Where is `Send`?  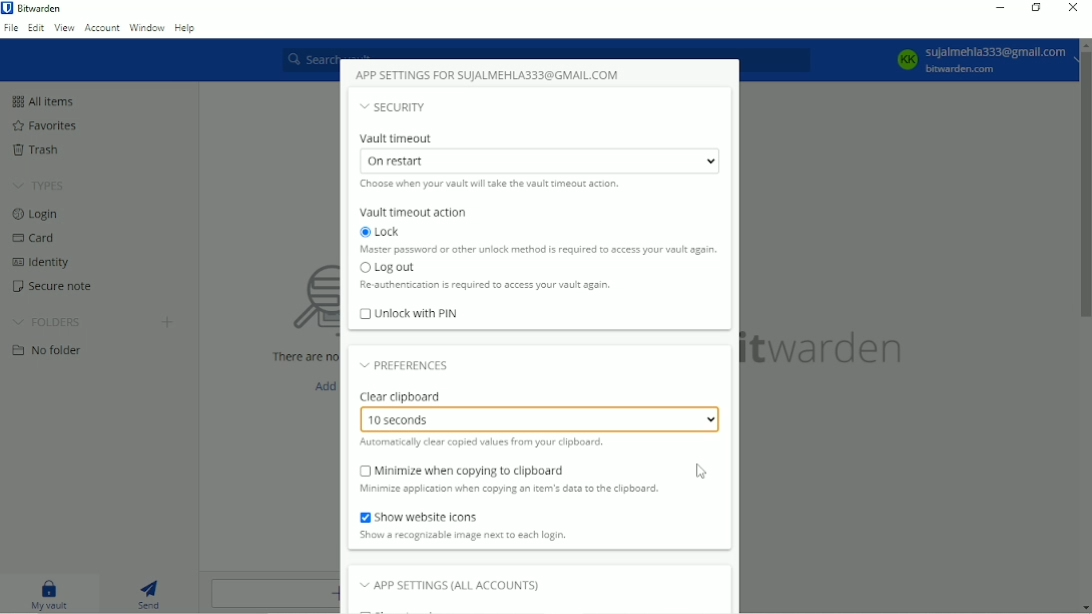
Send is located at coordinates (152, 592).